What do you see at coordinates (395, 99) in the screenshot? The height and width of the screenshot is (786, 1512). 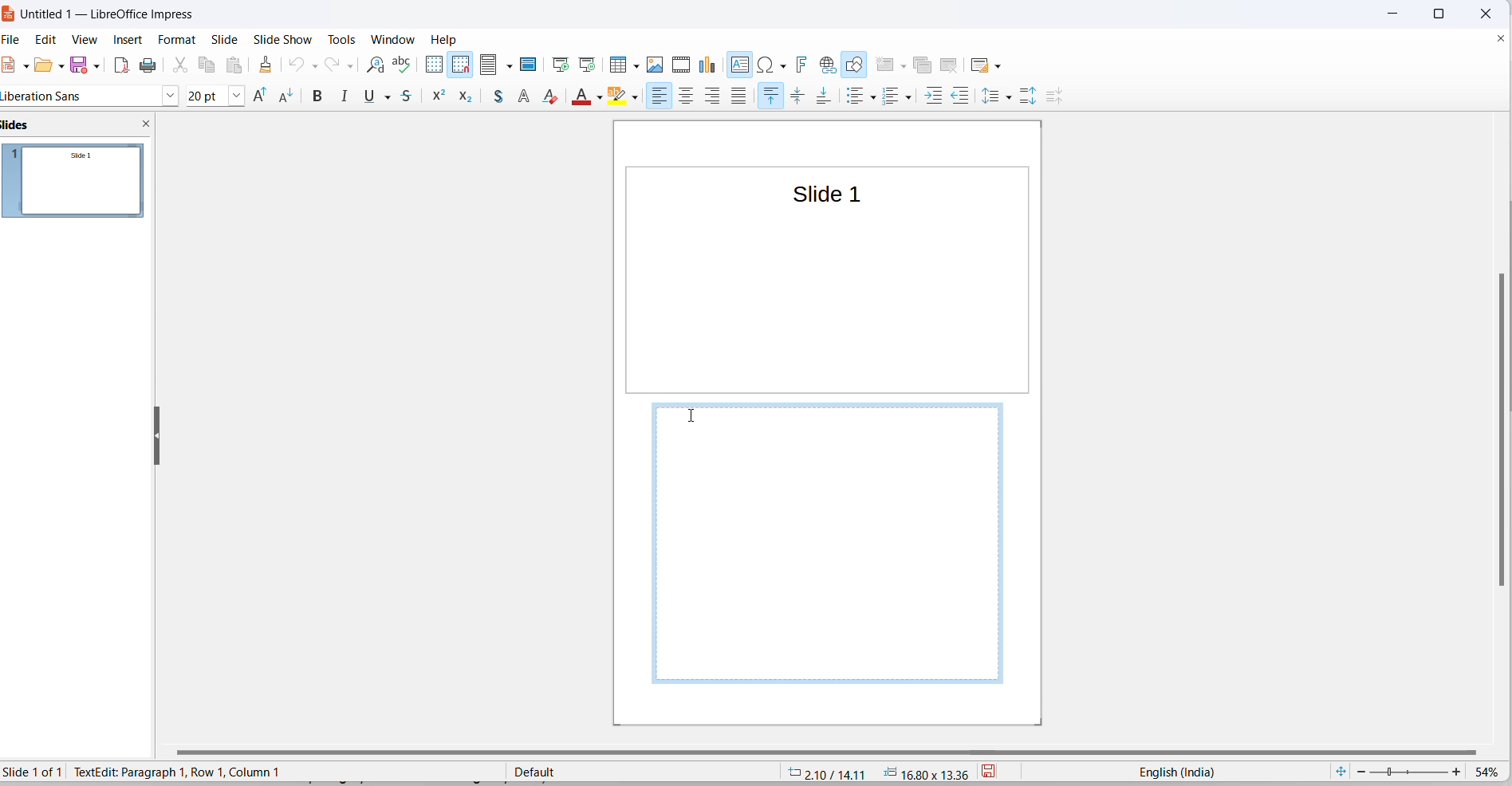 I see `symbol shapes options` at bounding box center [395, 99].